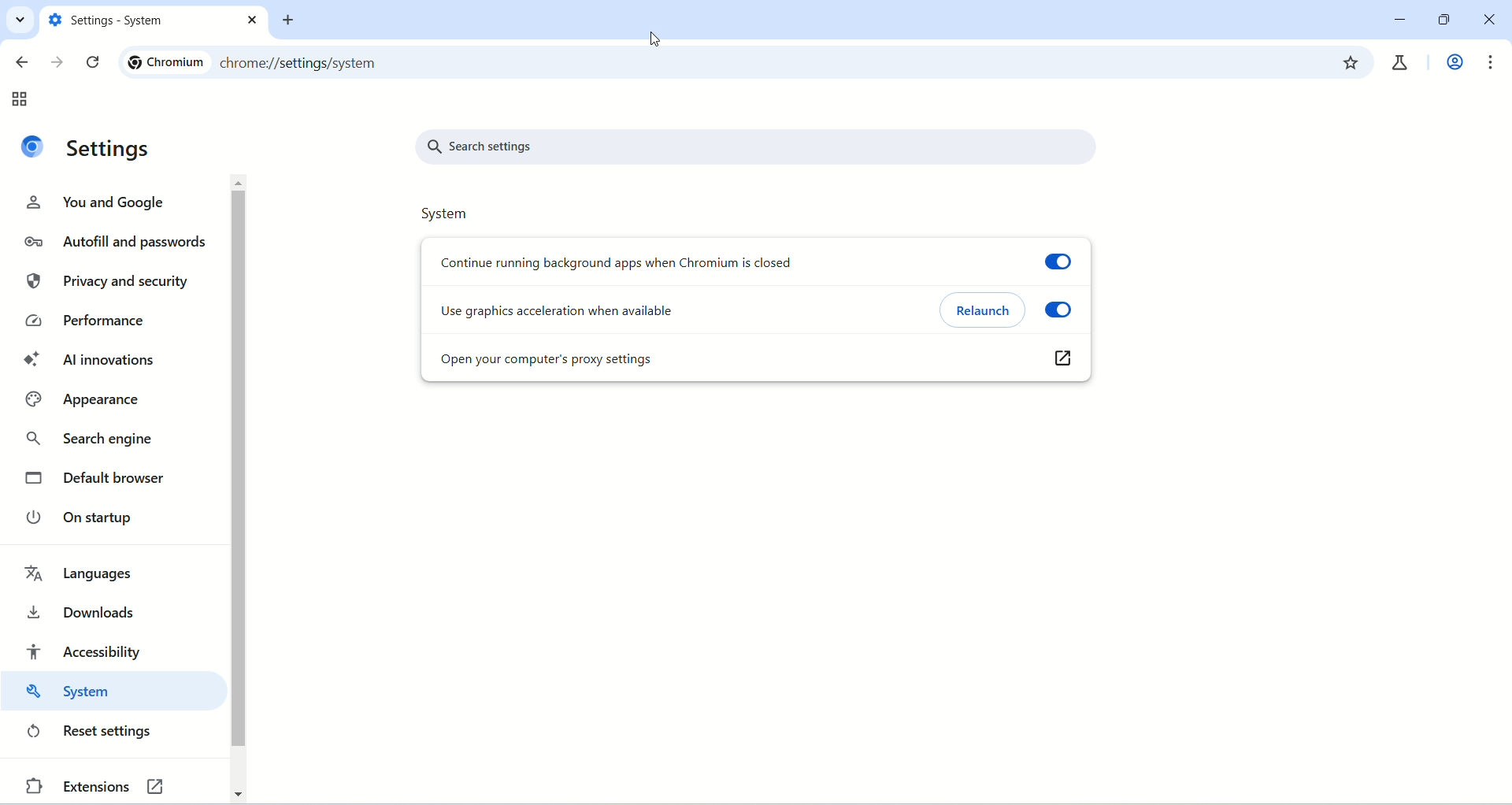 Image resolution: width=1512 pixels, height=805 pixels. What do you see at coordinates (446, 216) in the screenshot?
I see `system` at bounding box center [446, 216].